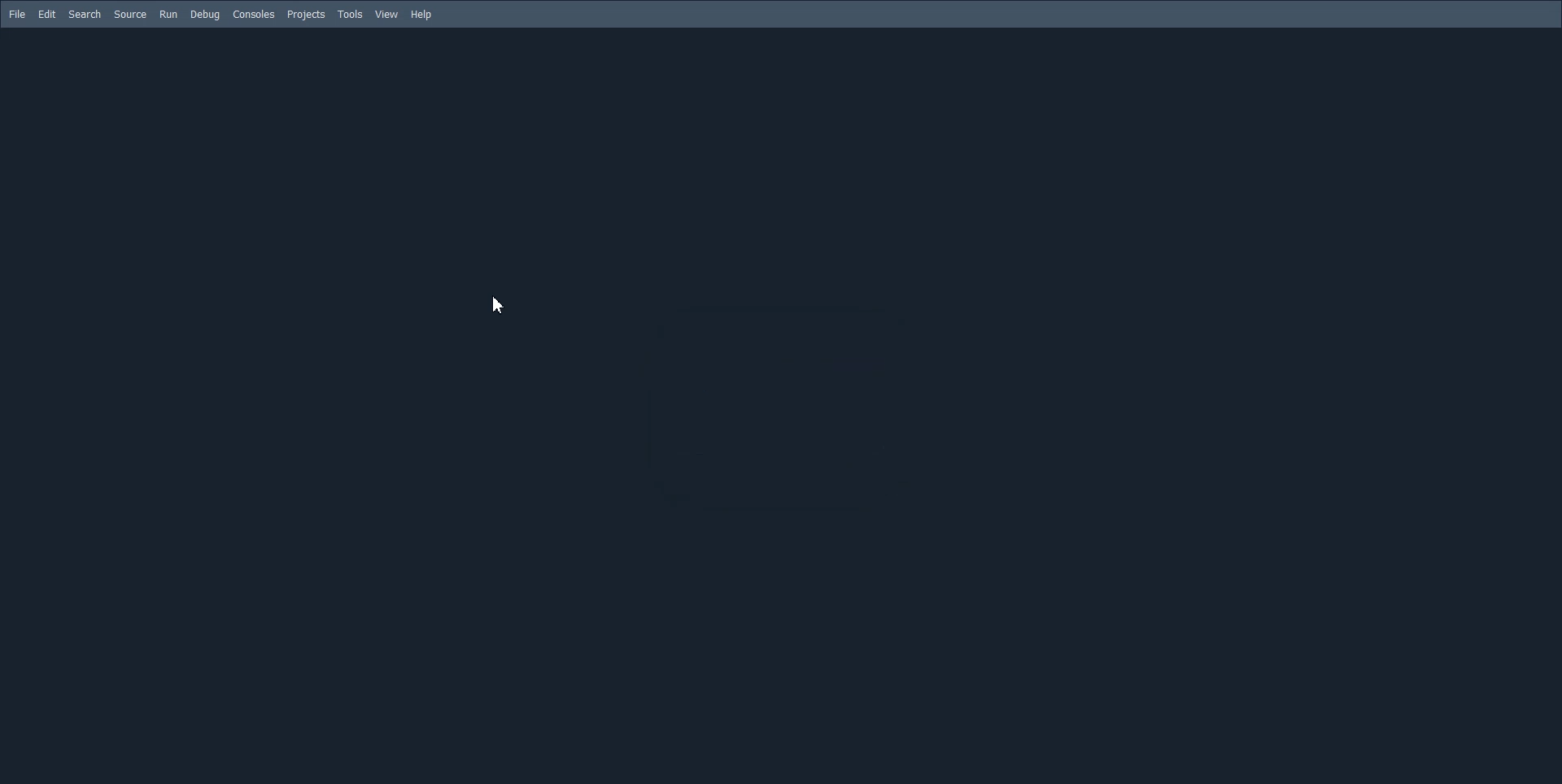 Image resolution: width=1562 pixels, height=784 pixels. Describe the element at coordinates (15, 15) in the screenshot. I see `File` at that location.